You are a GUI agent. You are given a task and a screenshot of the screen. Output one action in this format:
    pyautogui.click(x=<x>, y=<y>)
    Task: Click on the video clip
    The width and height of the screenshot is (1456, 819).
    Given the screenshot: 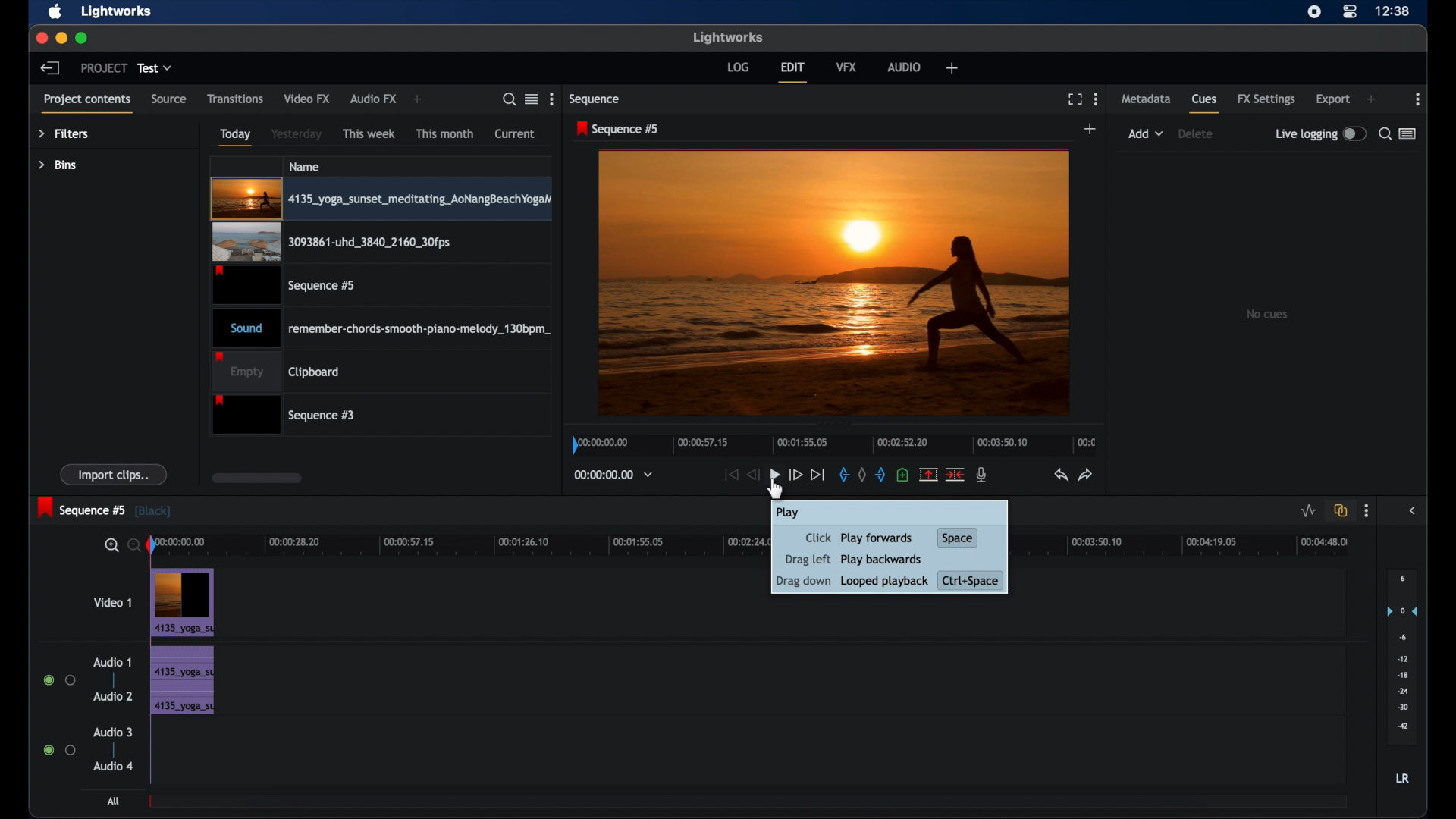 What is the action you would take?
    pyautogui.click(x=381, y=199)
    